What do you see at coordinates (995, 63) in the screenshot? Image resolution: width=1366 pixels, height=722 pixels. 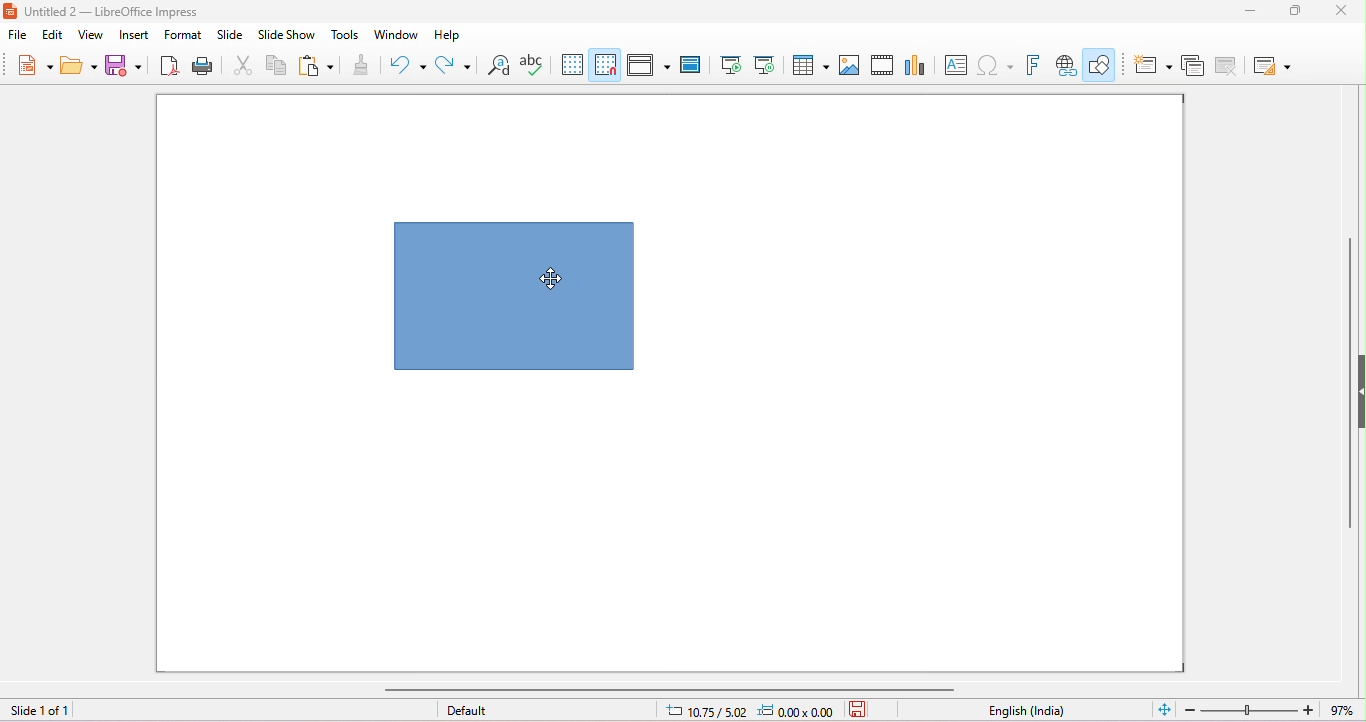 I see `insert special characters` at bounding box center [995, 63].